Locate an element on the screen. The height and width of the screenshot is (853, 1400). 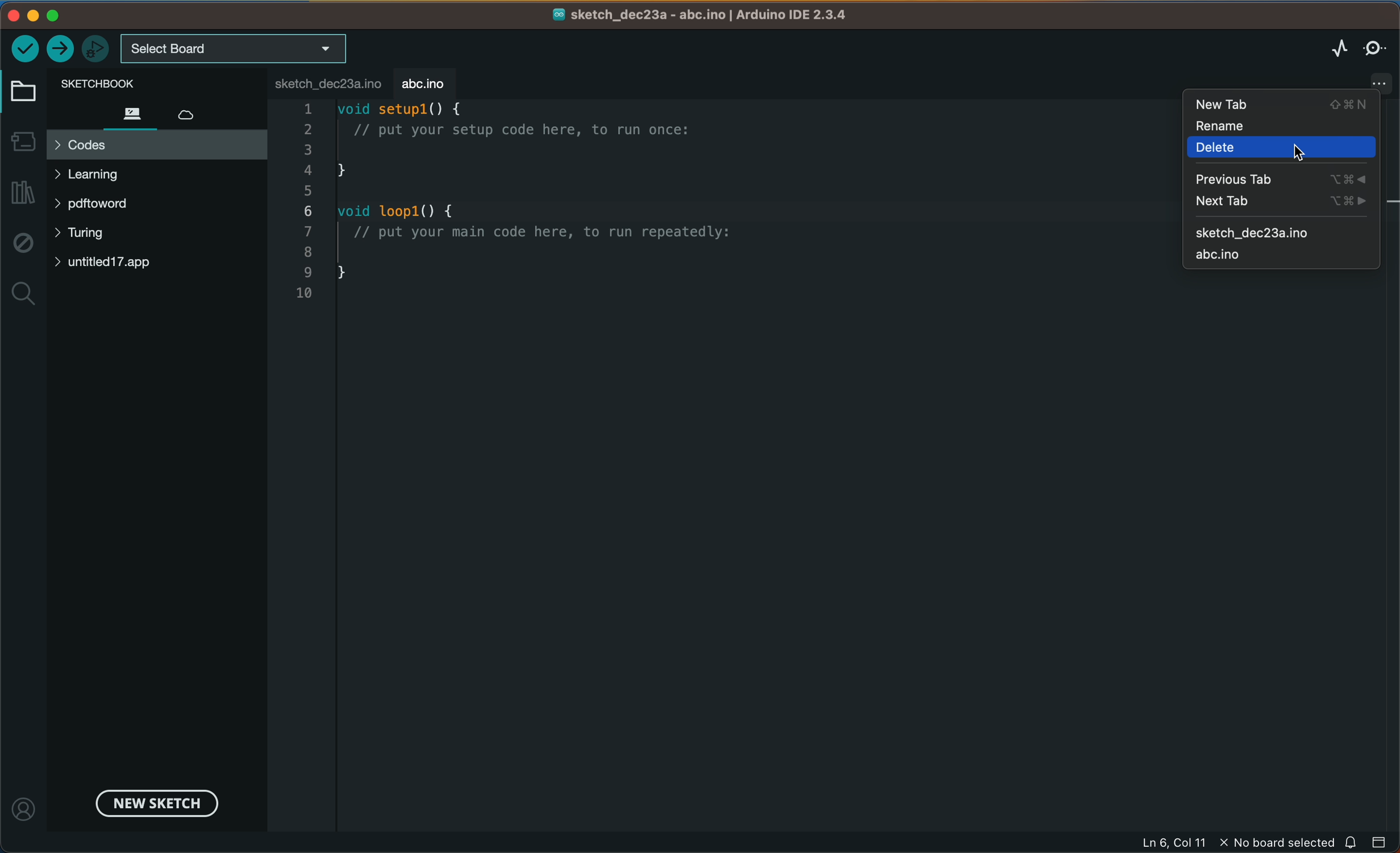
close slide bar is located at coordinates (1382, 842).